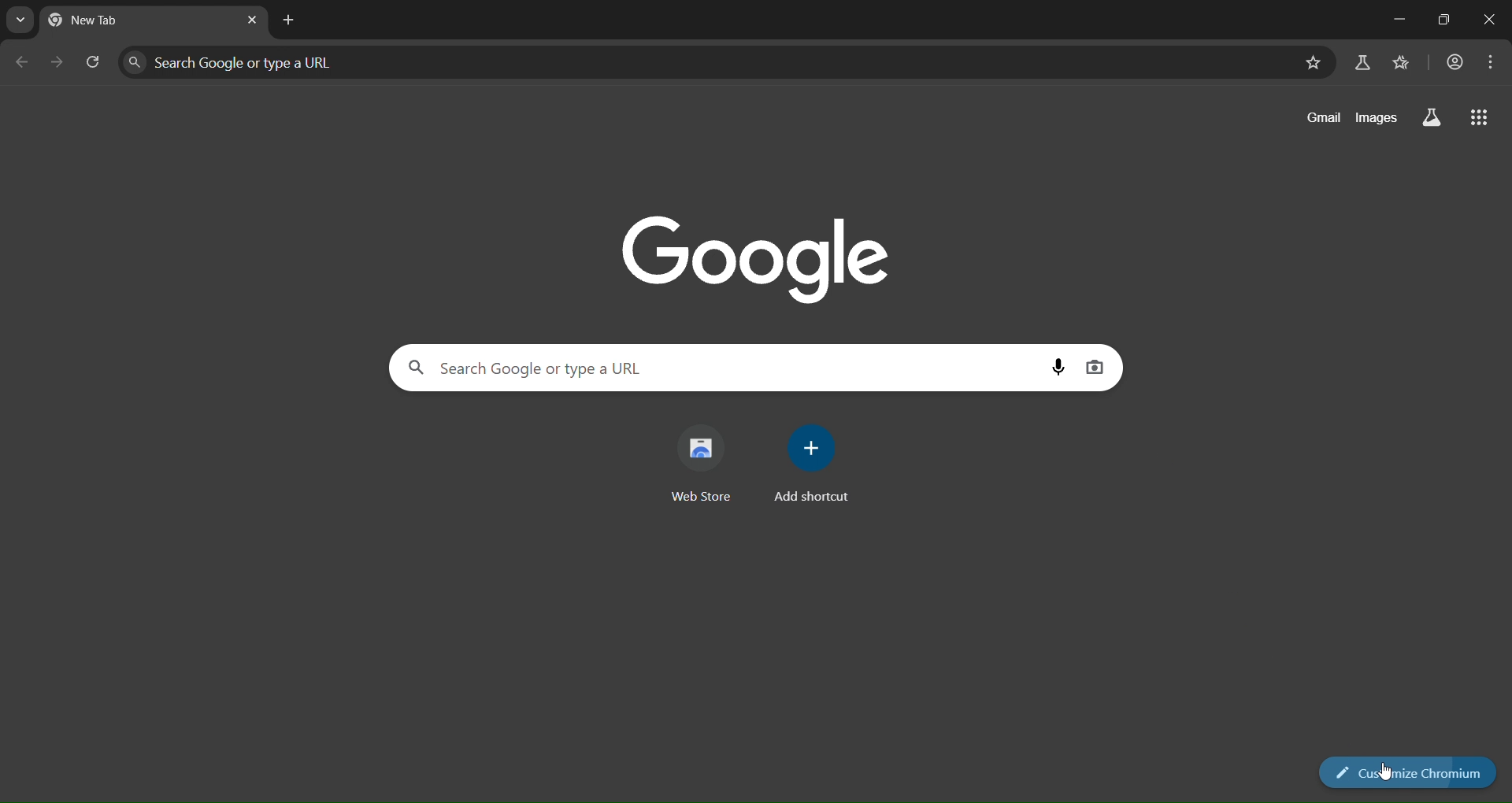 This screenshot has width=1512, height=803. What do you see at coordinates (16, 20) in the screenshot?
I see `search tabs` at bounding box center [16, 20].